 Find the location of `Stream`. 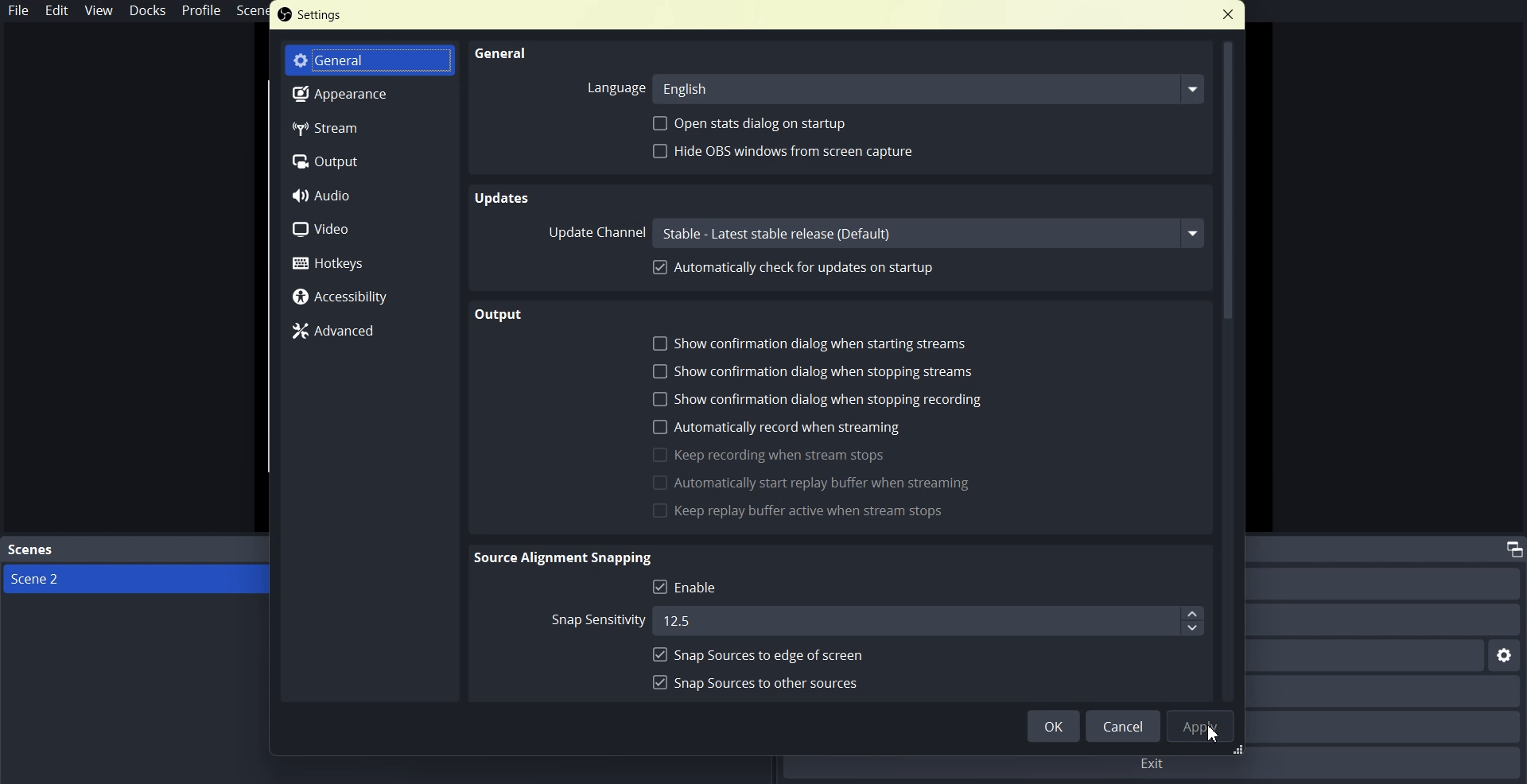

Stream is located at coordinates (371, 127).